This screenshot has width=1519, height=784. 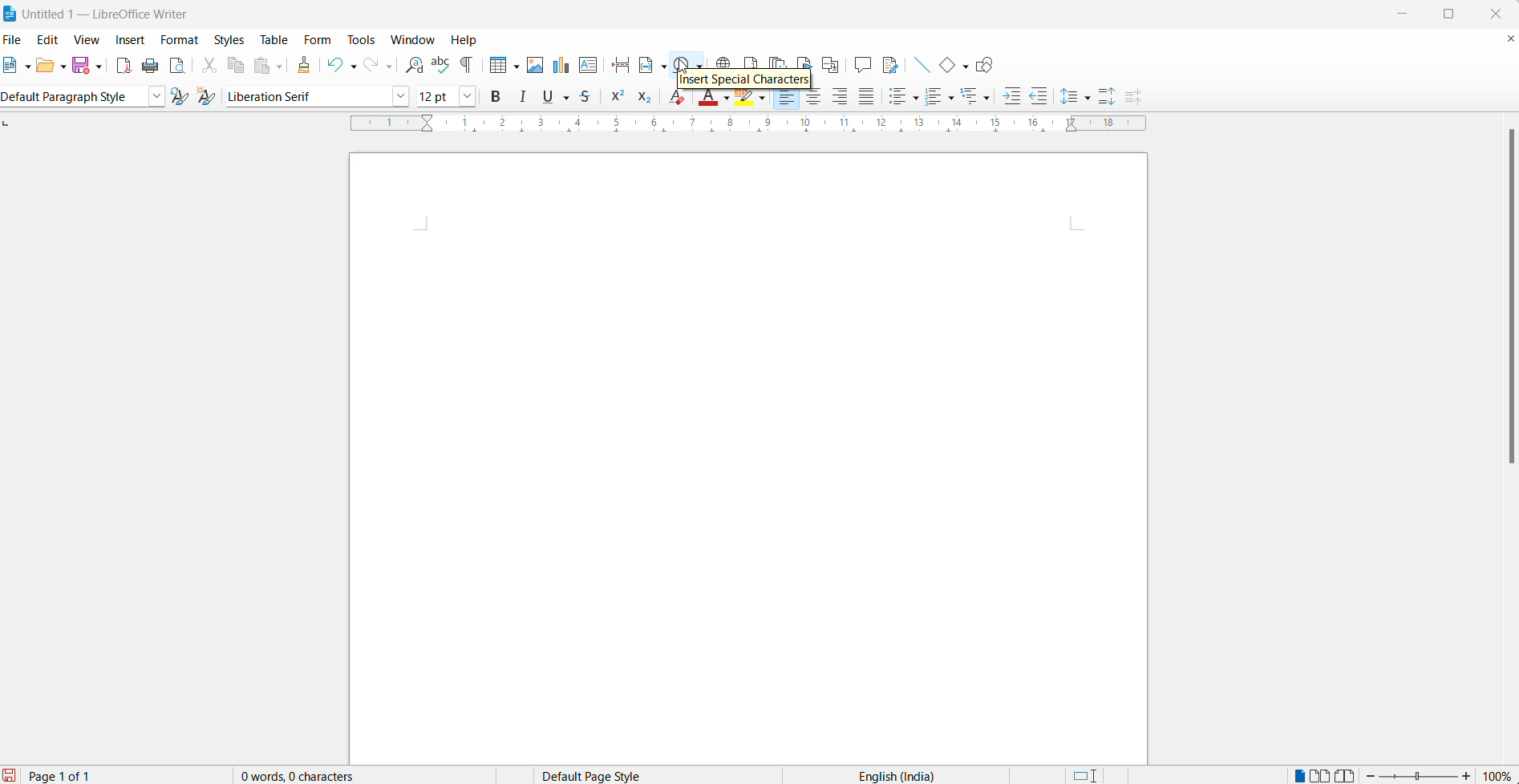 What do you see at coordinates (747, 459) in the screenshot?
I see `page` at bounding box center [747, 459].